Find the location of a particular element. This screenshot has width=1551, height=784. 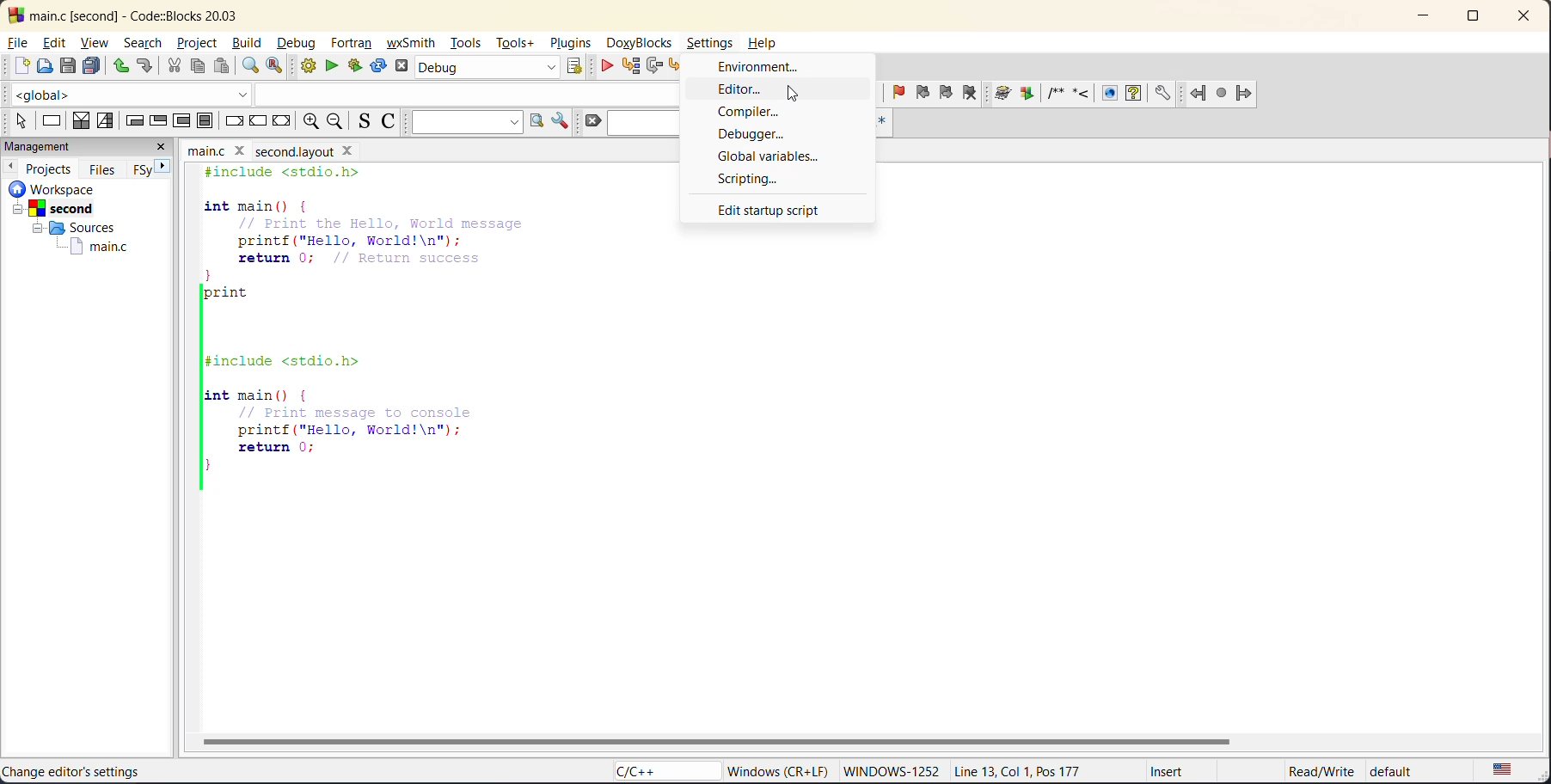

cut is located at coordinates (173, 66).